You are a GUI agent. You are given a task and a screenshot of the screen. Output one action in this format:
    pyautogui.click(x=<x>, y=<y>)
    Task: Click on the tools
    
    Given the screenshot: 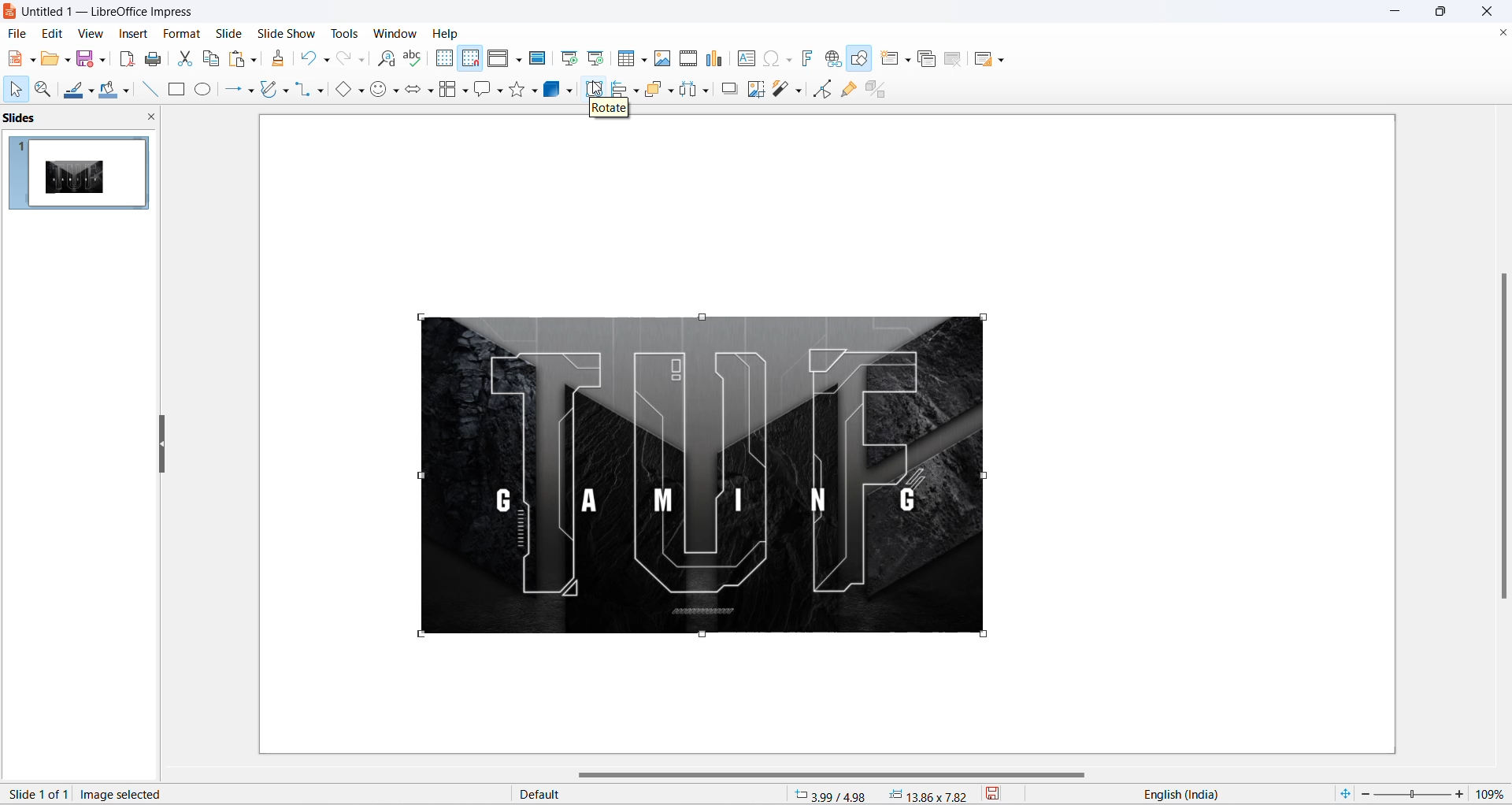 What is the action you would take?
    pyautogui.click(x=350, y=33)
    